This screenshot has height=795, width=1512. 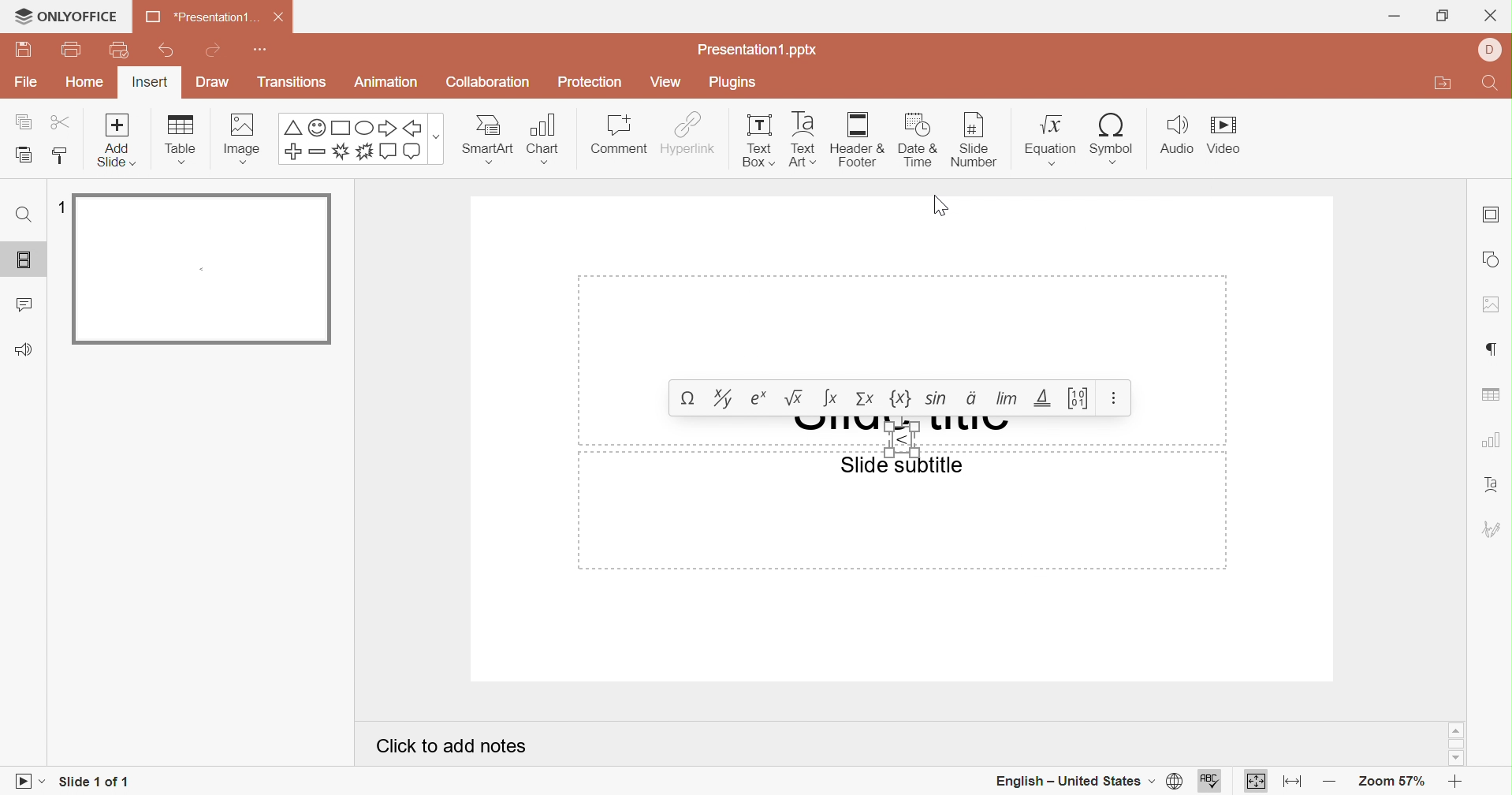 I want to click on Minimize, so click(x=1395, y=14).